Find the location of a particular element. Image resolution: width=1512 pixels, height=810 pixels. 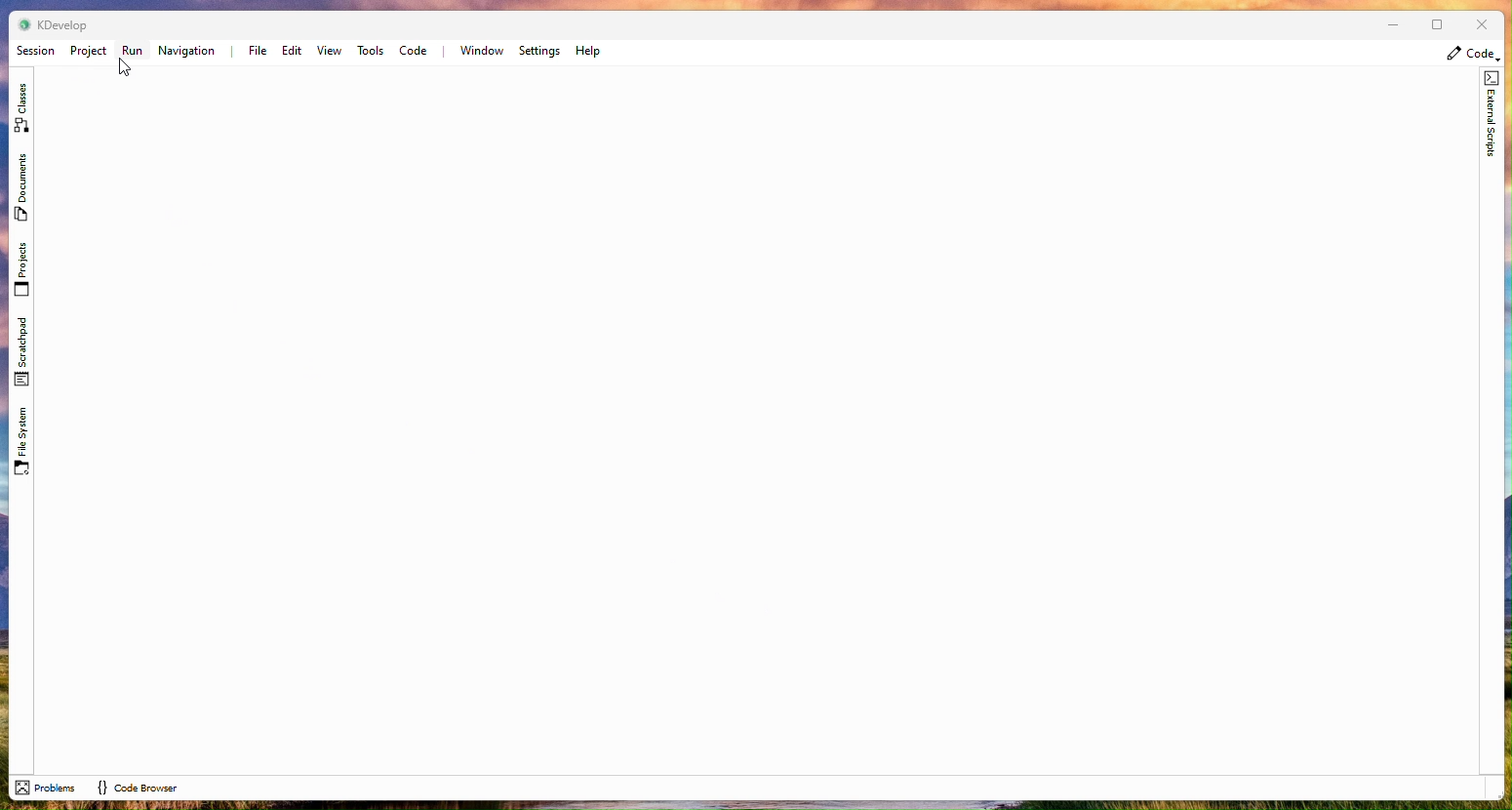

Minimize is located at coordinates (1386, 26).